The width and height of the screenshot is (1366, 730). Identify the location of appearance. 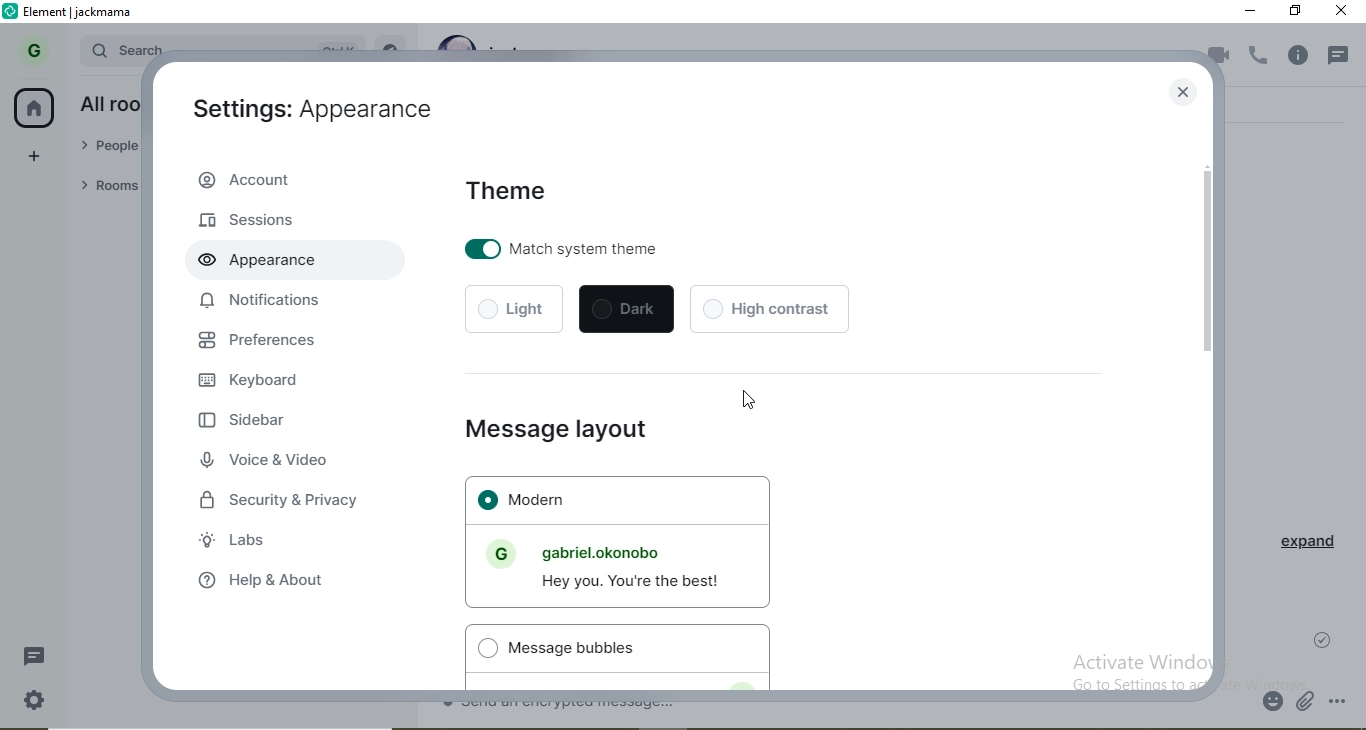
(252, 258).